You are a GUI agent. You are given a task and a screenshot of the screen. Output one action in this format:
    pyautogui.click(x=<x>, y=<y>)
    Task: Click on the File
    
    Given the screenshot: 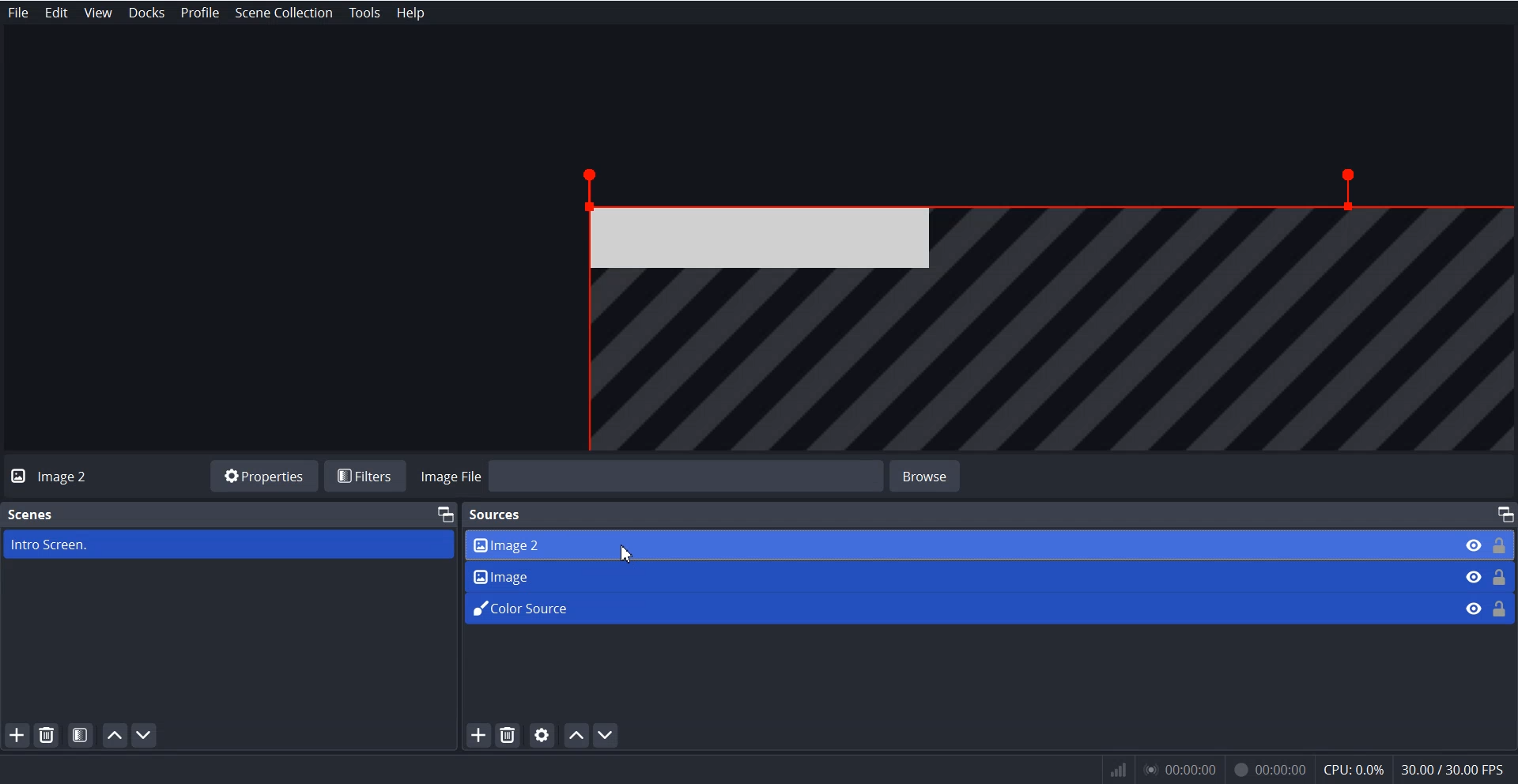 What is the action you would take?
    pyautogui.click(x=19, y=13)
    